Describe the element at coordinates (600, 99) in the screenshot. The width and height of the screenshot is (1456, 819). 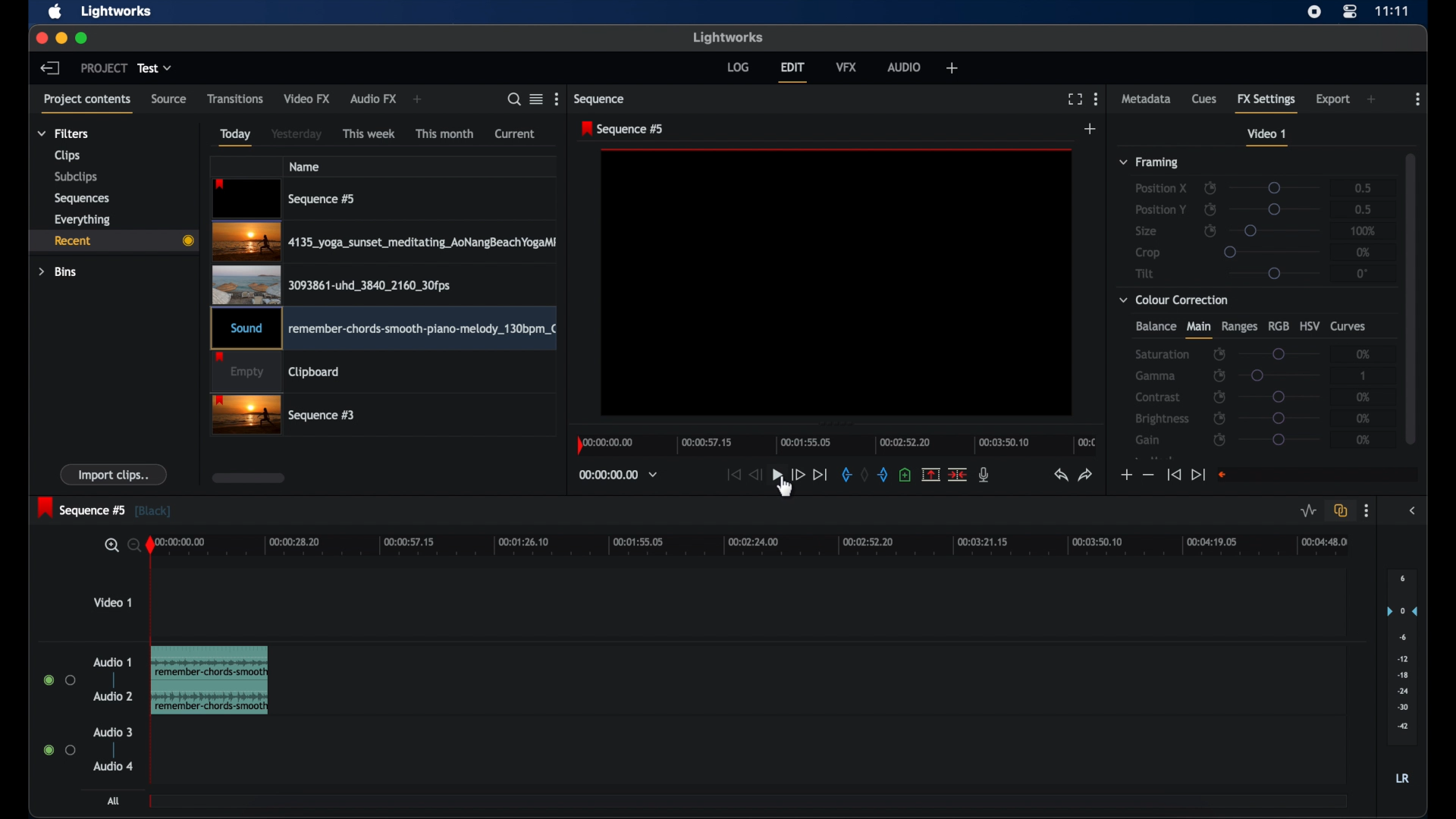
I see `sequence` at that location.